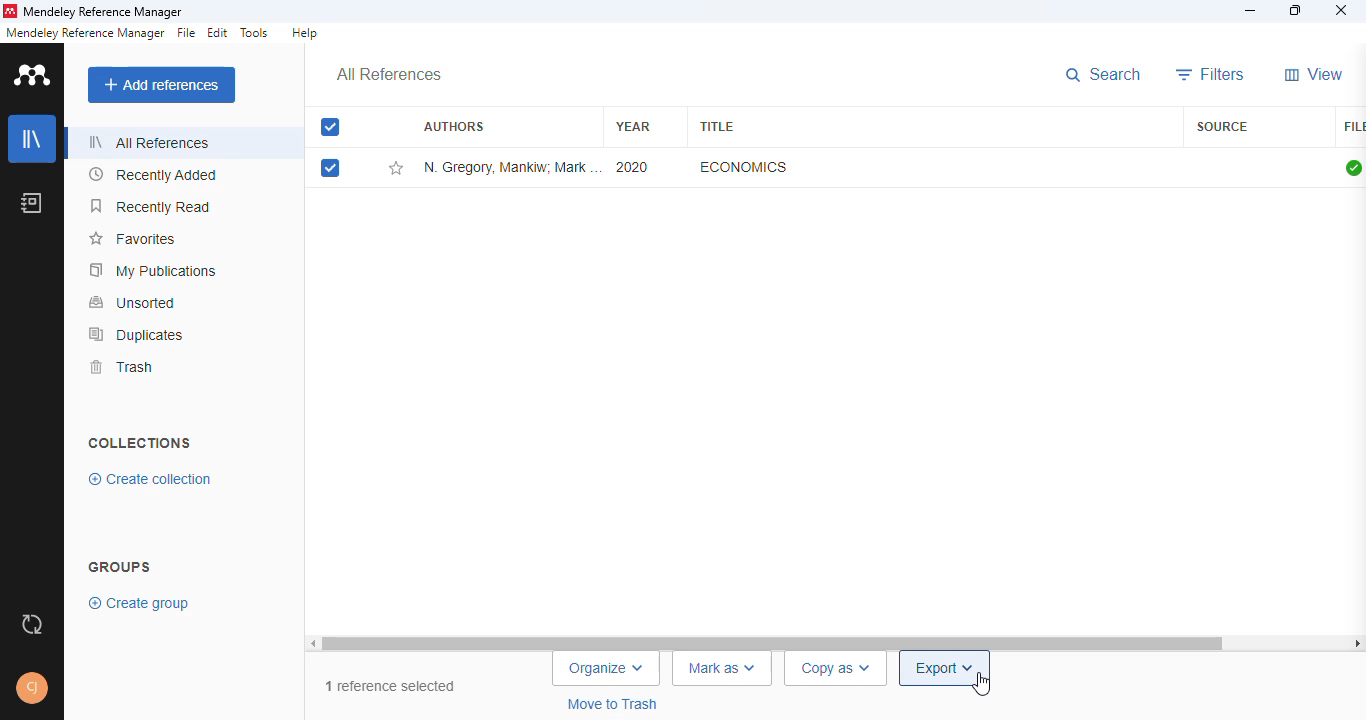  Describe the element at coordinates (835, 643) in the screenshot. I see `scrollbar` at that location.